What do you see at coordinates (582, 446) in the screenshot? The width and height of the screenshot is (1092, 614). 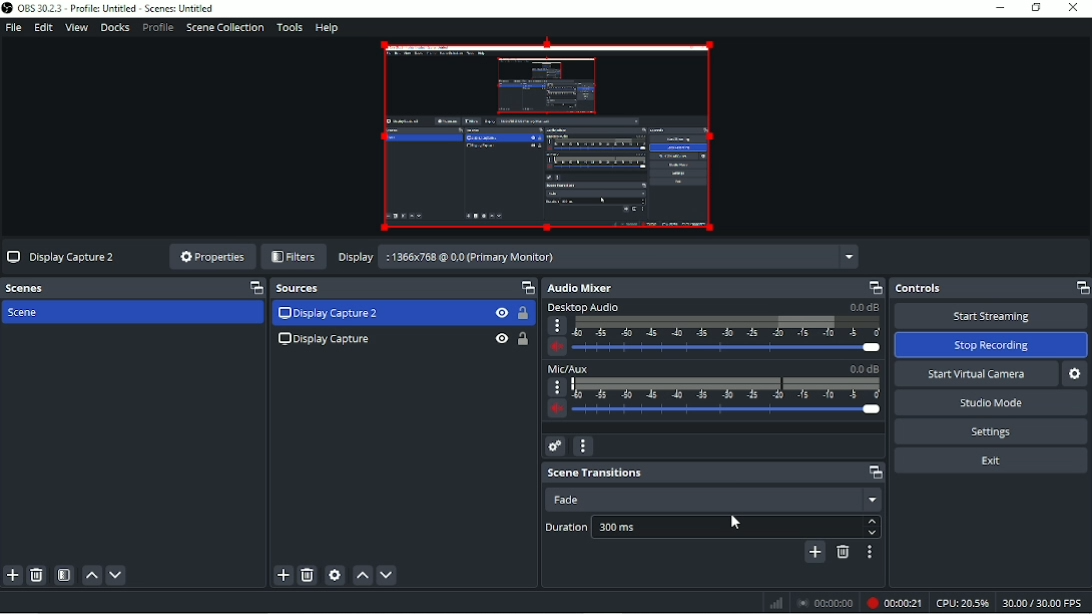 I see `Audio mixer menu` at bounding box center [582, 446].